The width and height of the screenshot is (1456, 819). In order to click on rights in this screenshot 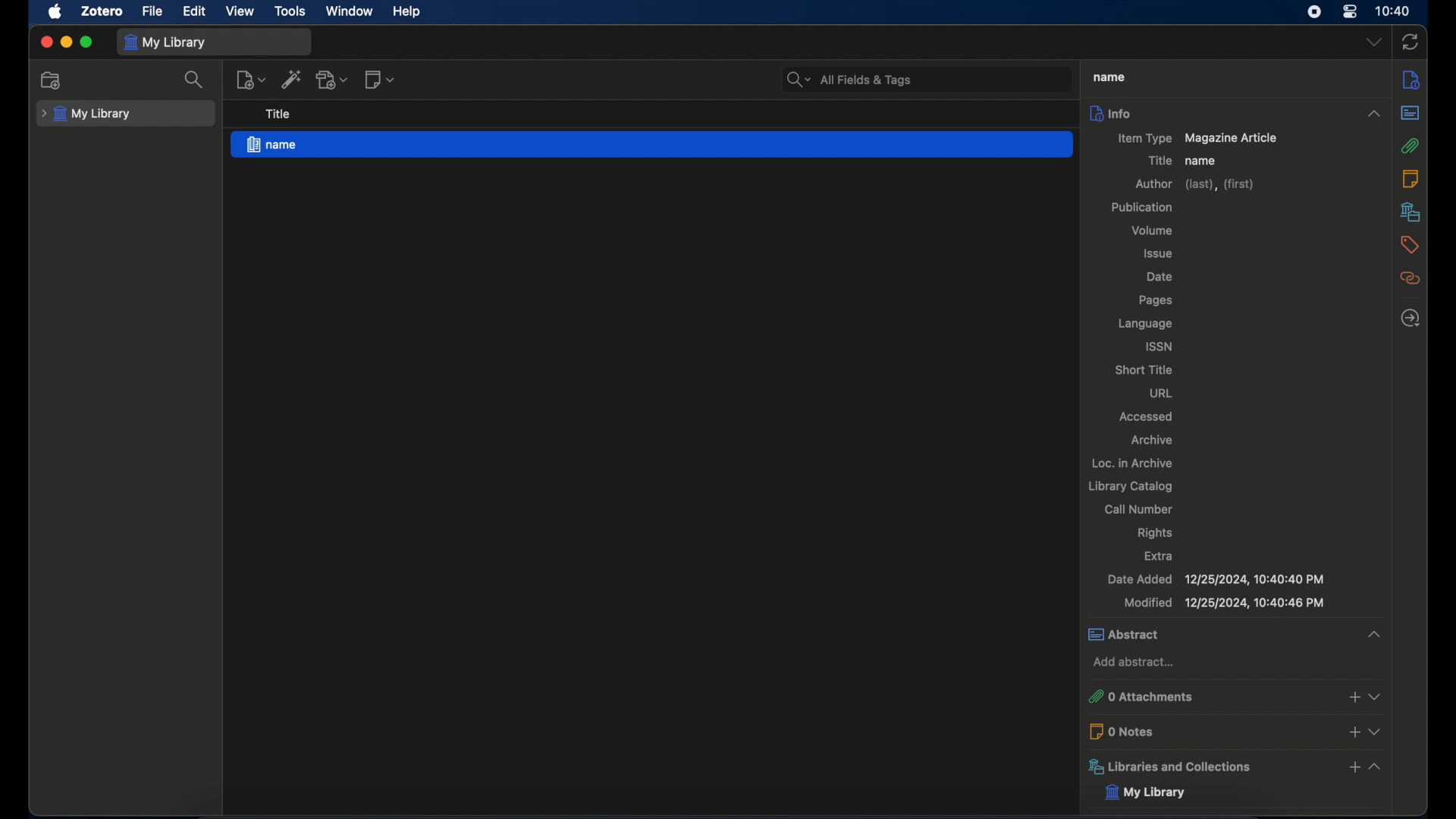, I will do `click(1156, 534)`.